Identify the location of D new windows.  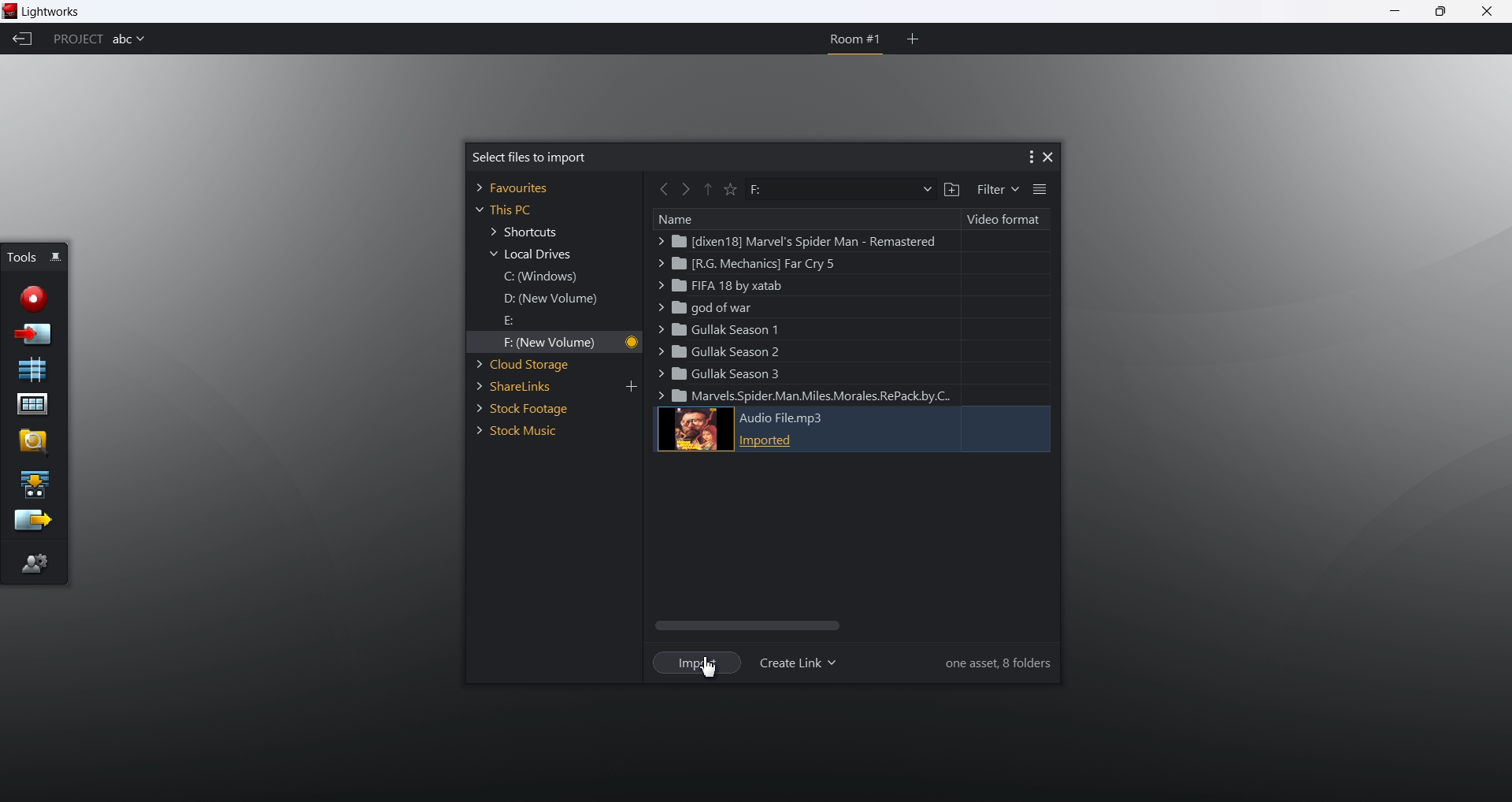
(550, 300).